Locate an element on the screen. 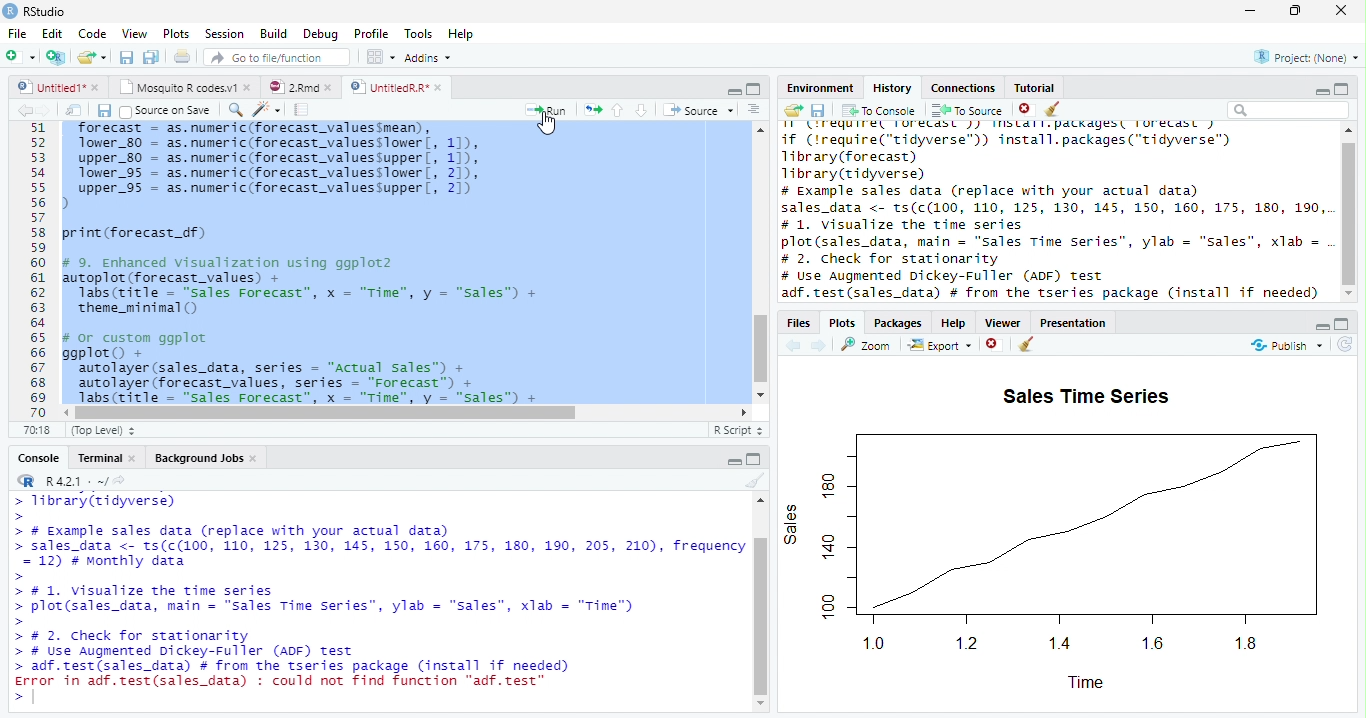 This screenshot has height=718, width=1366. Delete is located at coordinates (992, 343).